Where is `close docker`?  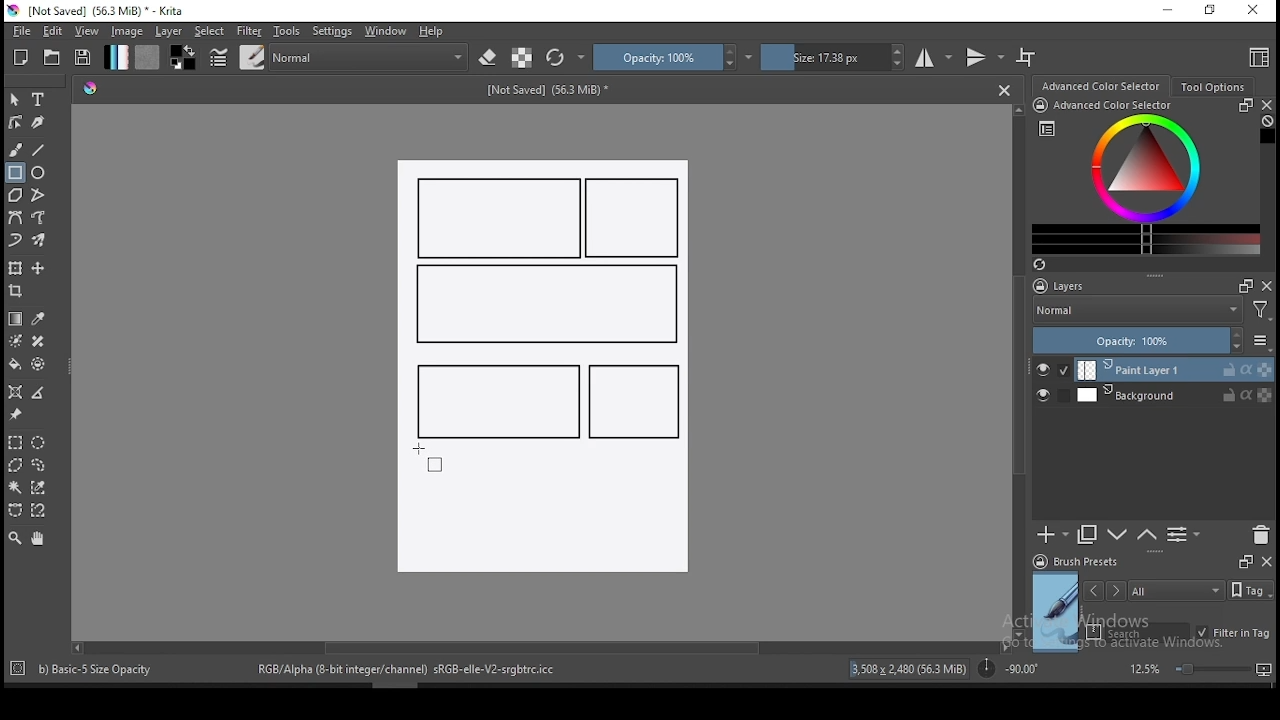 close docker is located at coordinates (1267, 285).